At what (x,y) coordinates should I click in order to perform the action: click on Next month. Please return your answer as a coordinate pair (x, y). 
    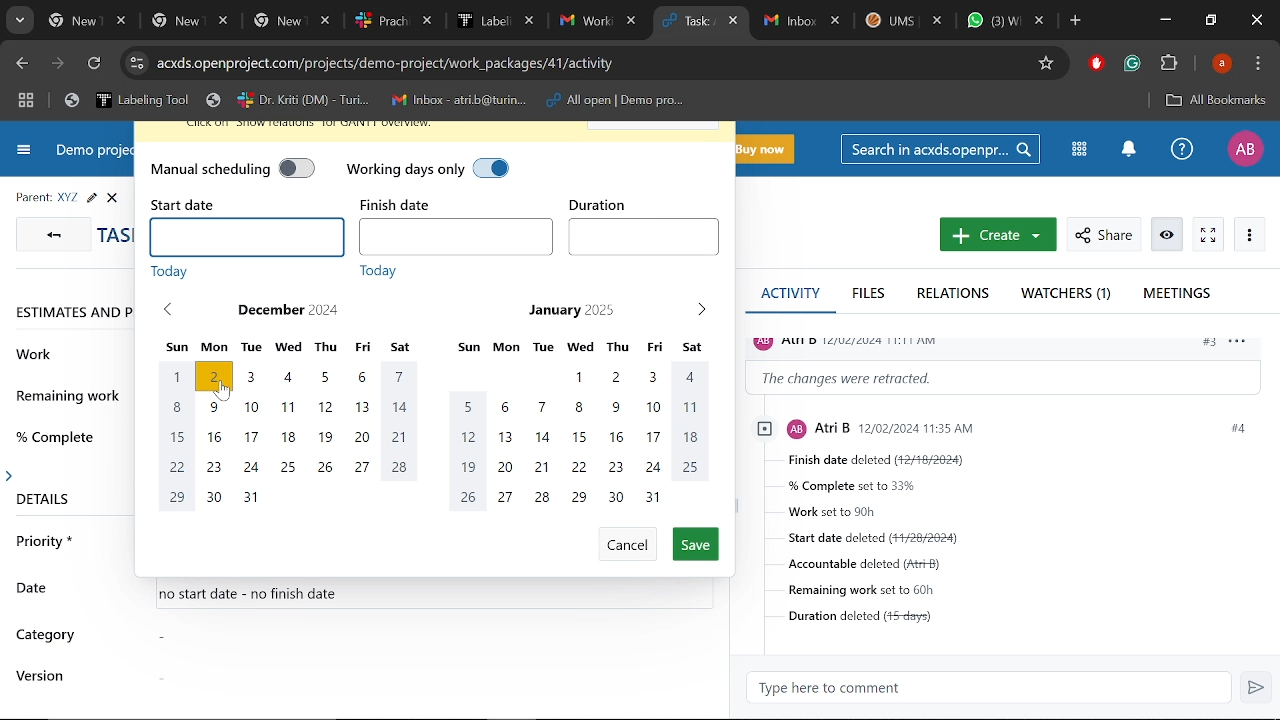
    Looking at the image, I should click on (699, 308).